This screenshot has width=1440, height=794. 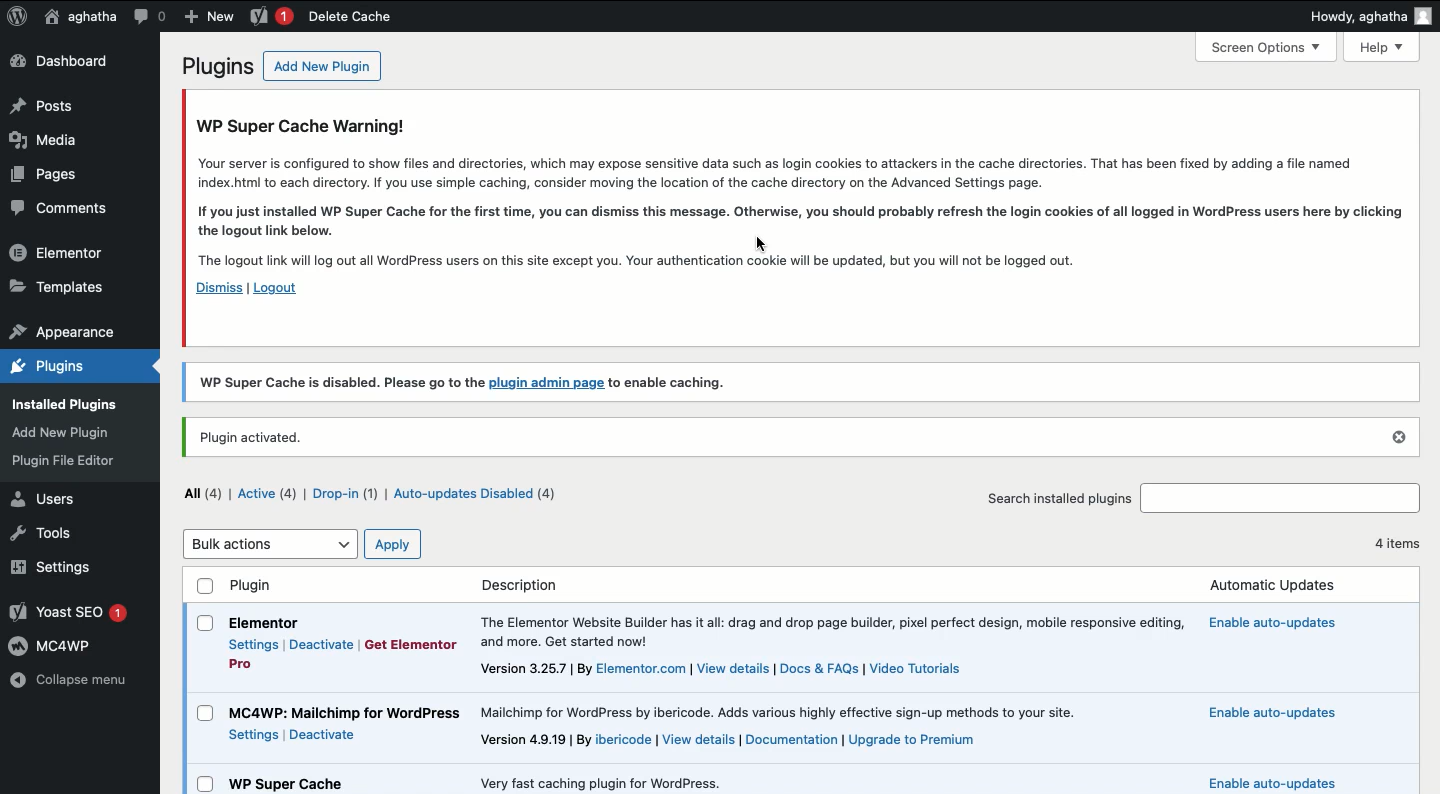 I want to click on MC4WP, so click(x=53, y=646).